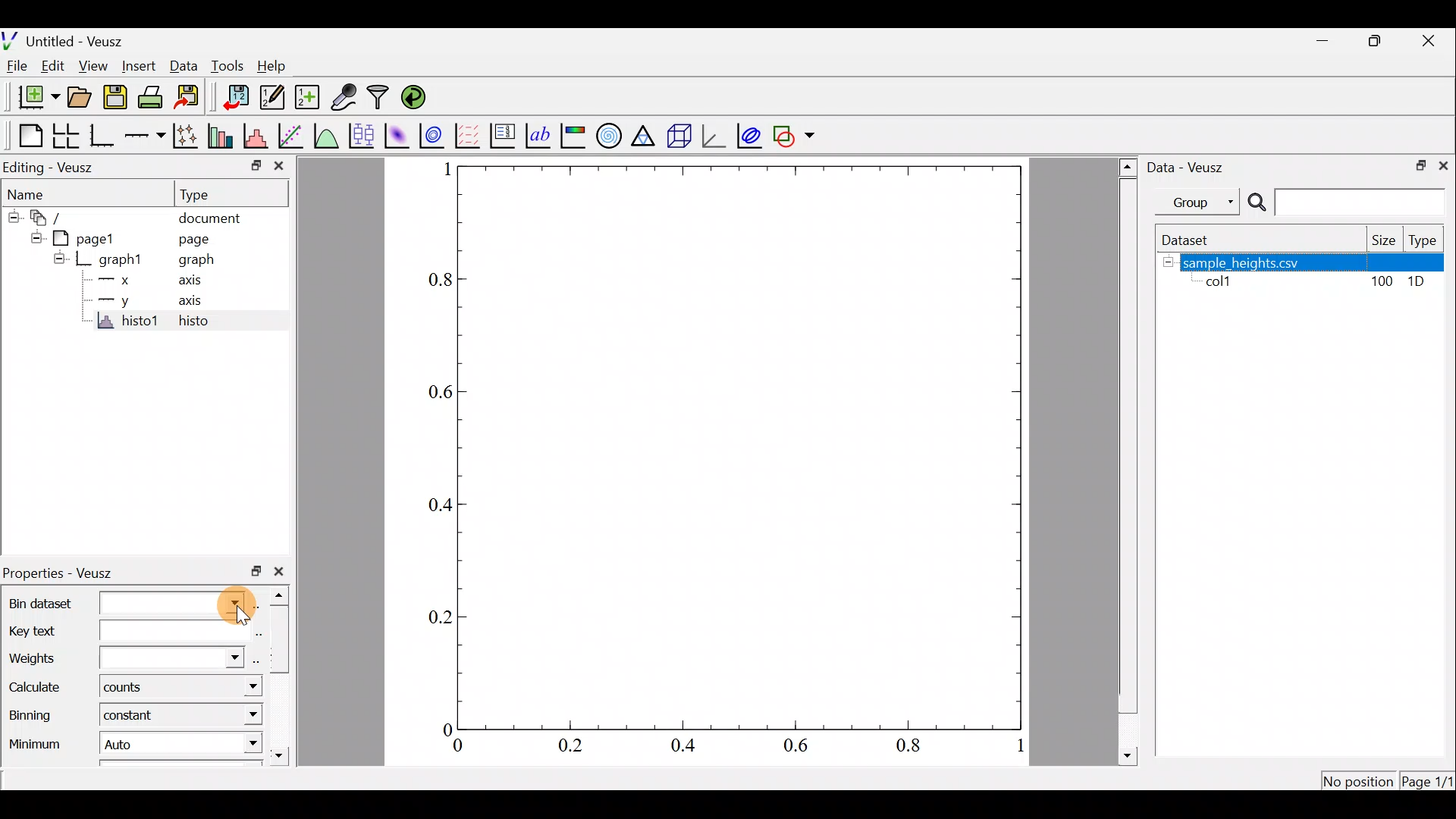  Describe the element at coordinates (221, 136) in the screenshot. I see `plot bar charts` at that location.